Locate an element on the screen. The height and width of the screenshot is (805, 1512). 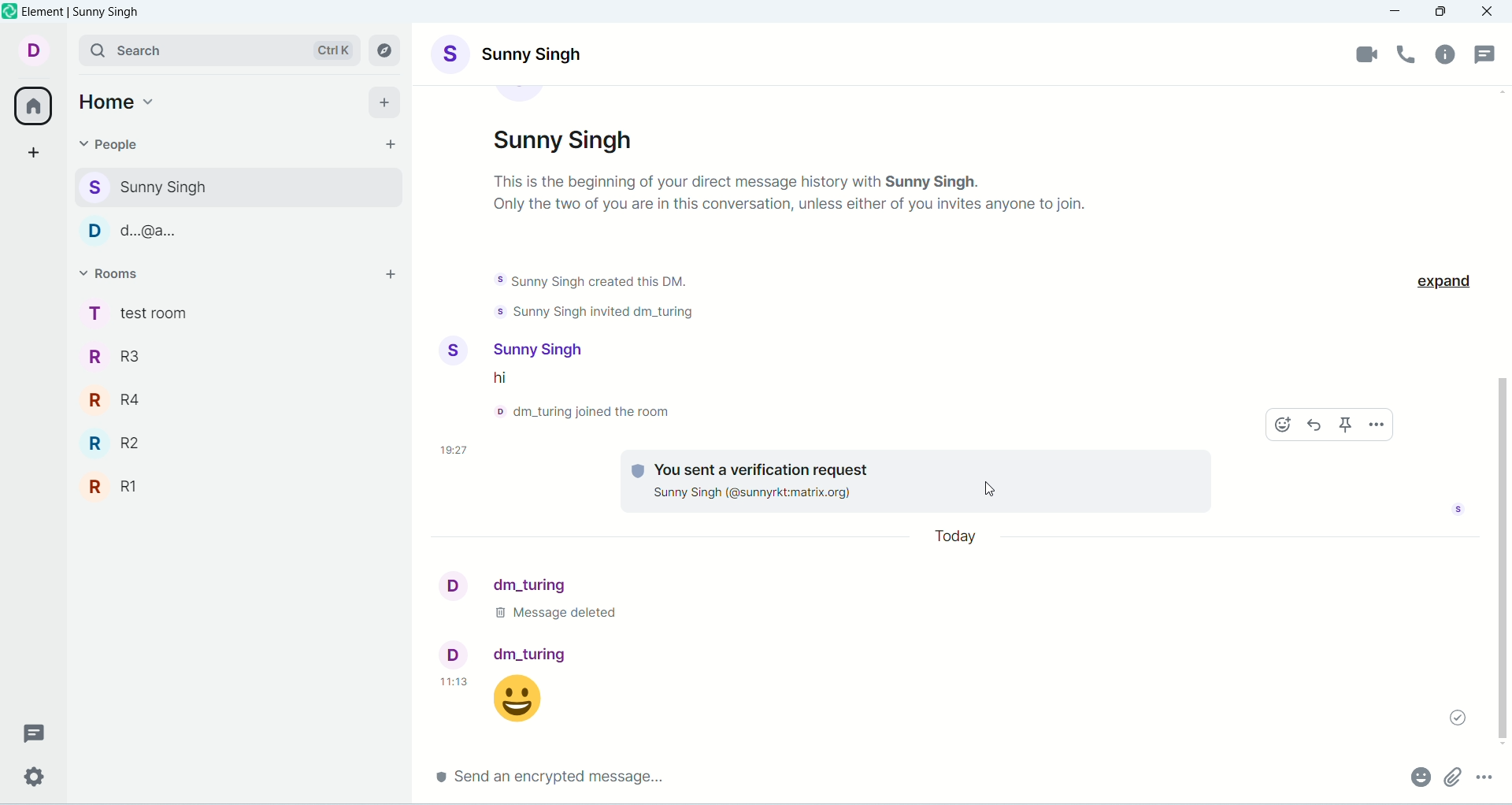
R2 is located at coordinates (239, 438).